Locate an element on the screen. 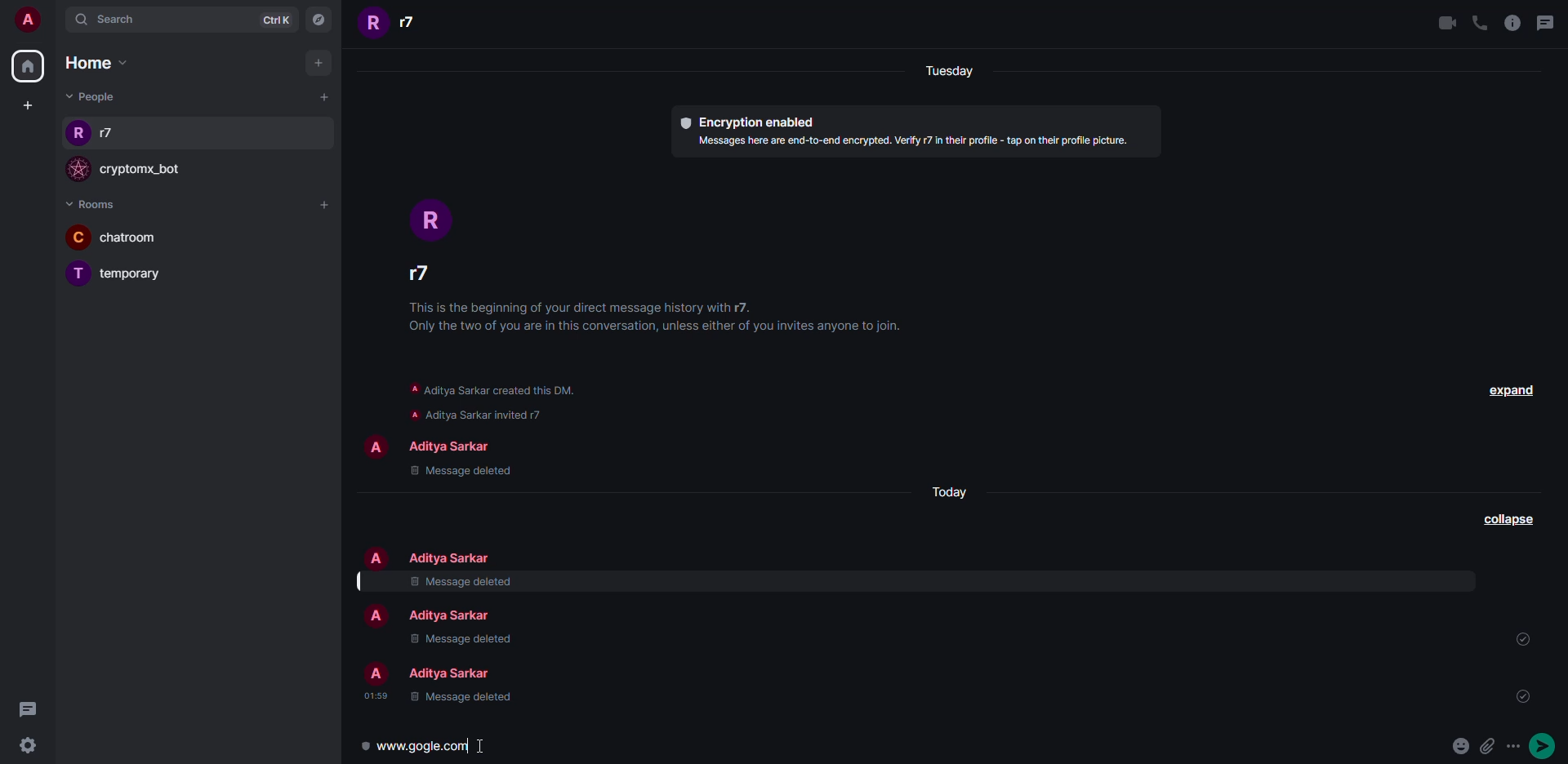  link preview typed is located at coordinates (456, 747).